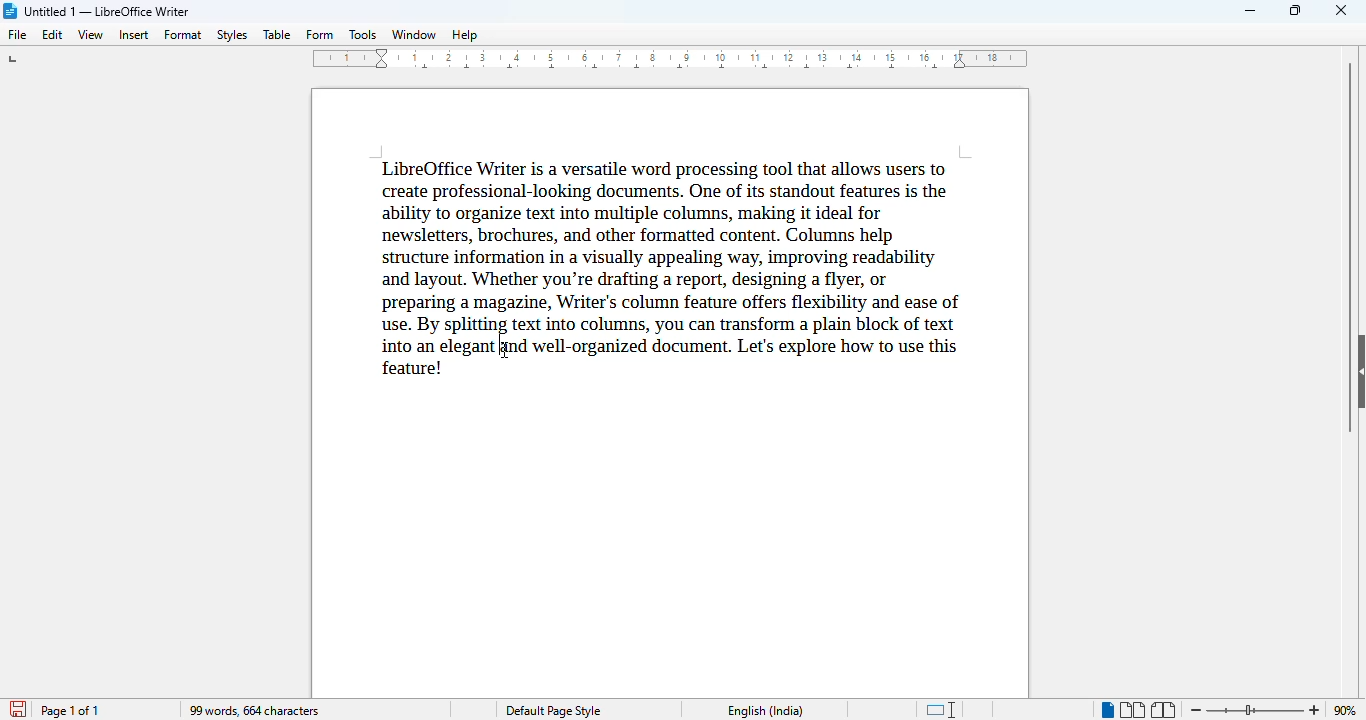 The height and width of the screenshot is (720, 1366). Describe the element at coordinates (1315, 710) in the screenshot. I see `zoom in` at that location.